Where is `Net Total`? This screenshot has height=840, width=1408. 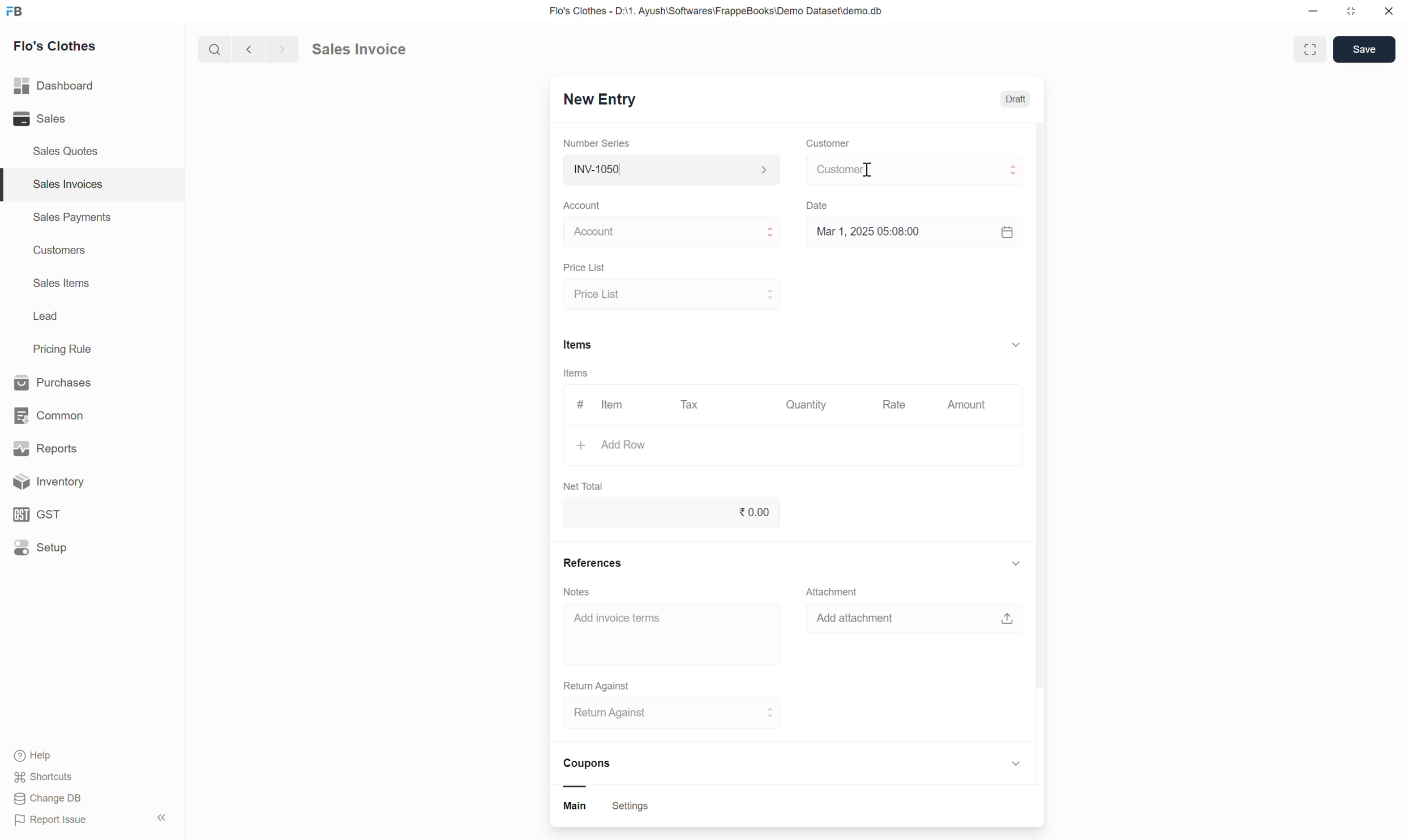
Net Total is located at coordinates (584, 485).